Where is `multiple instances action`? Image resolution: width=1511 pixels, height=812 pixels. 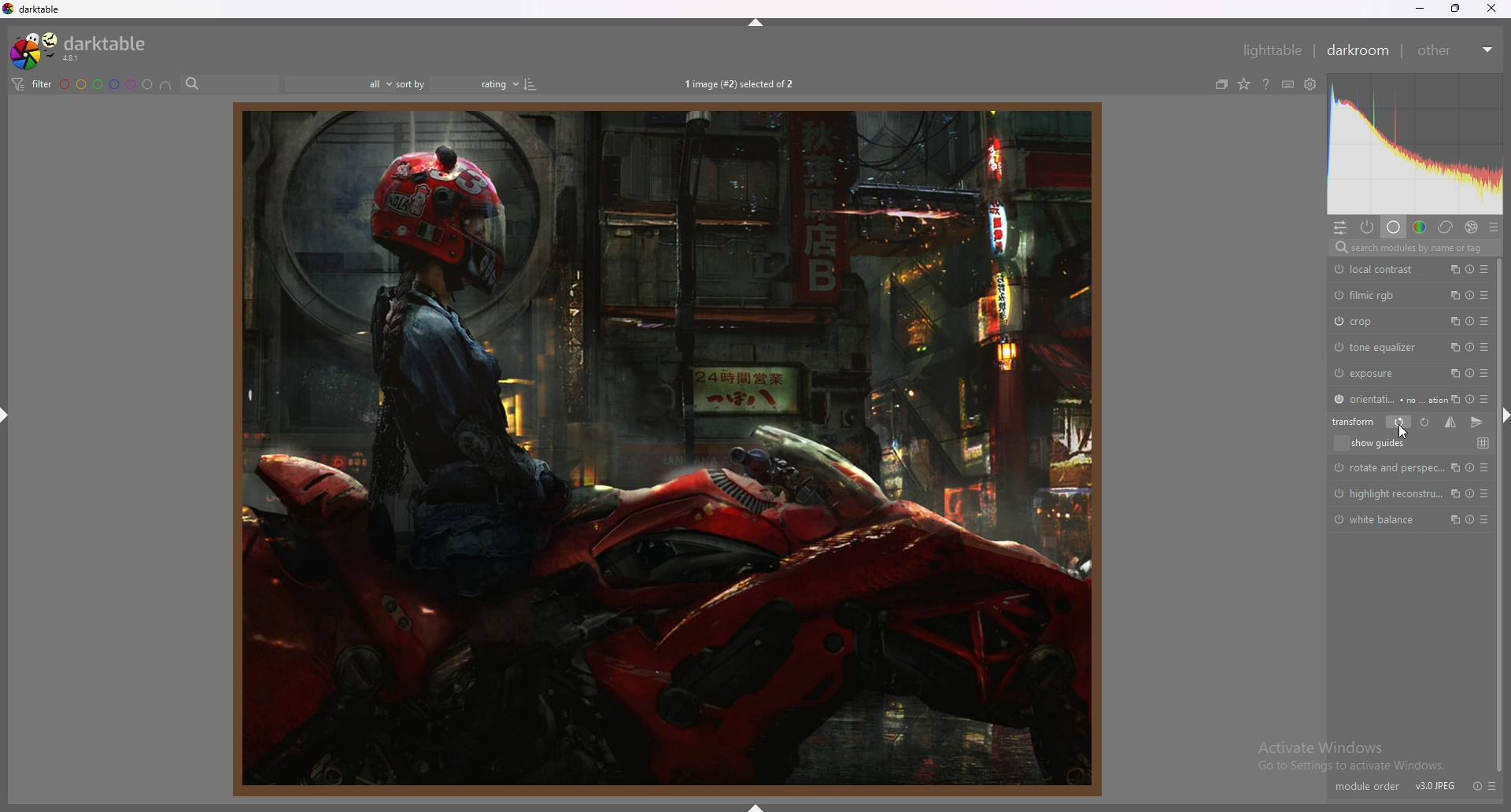
multiple instances action is located at coordinates (1453, 321).